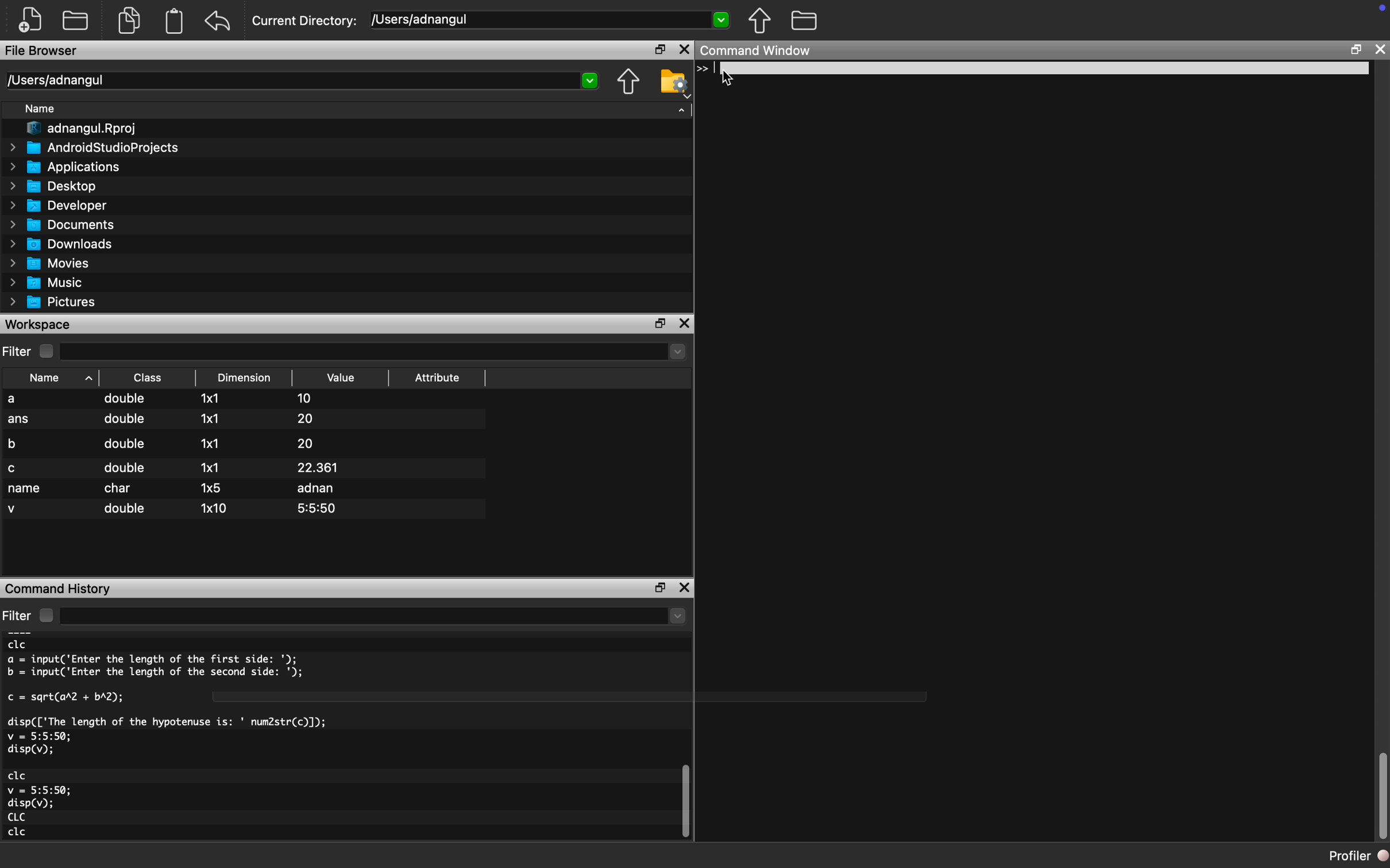 This screenshot has width=1390, height=868. I want to click on Dropdown, so click(723, 21).